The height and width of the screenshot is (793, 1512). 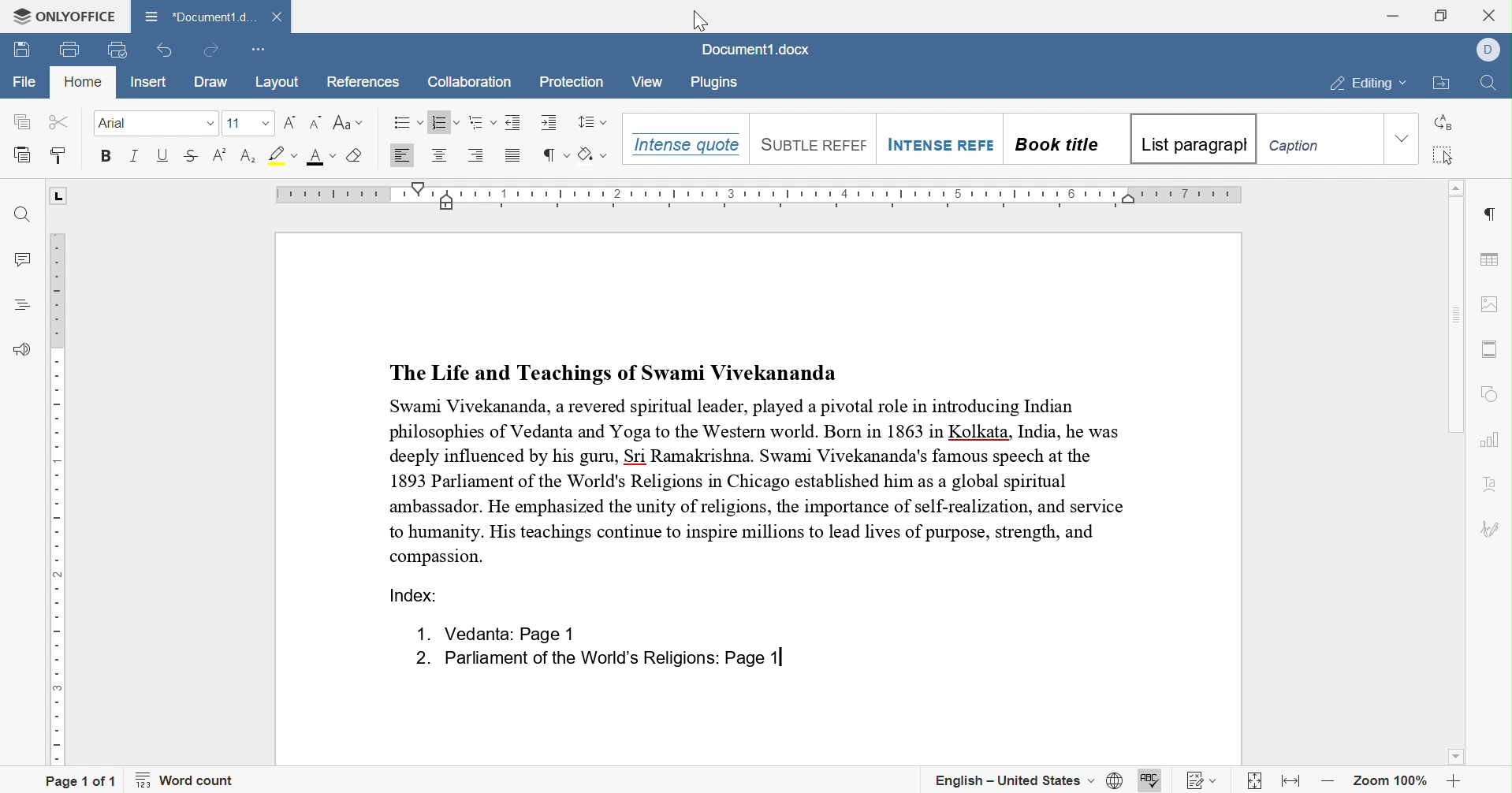 I want to click on image settings, so click(x=1487, y=303).